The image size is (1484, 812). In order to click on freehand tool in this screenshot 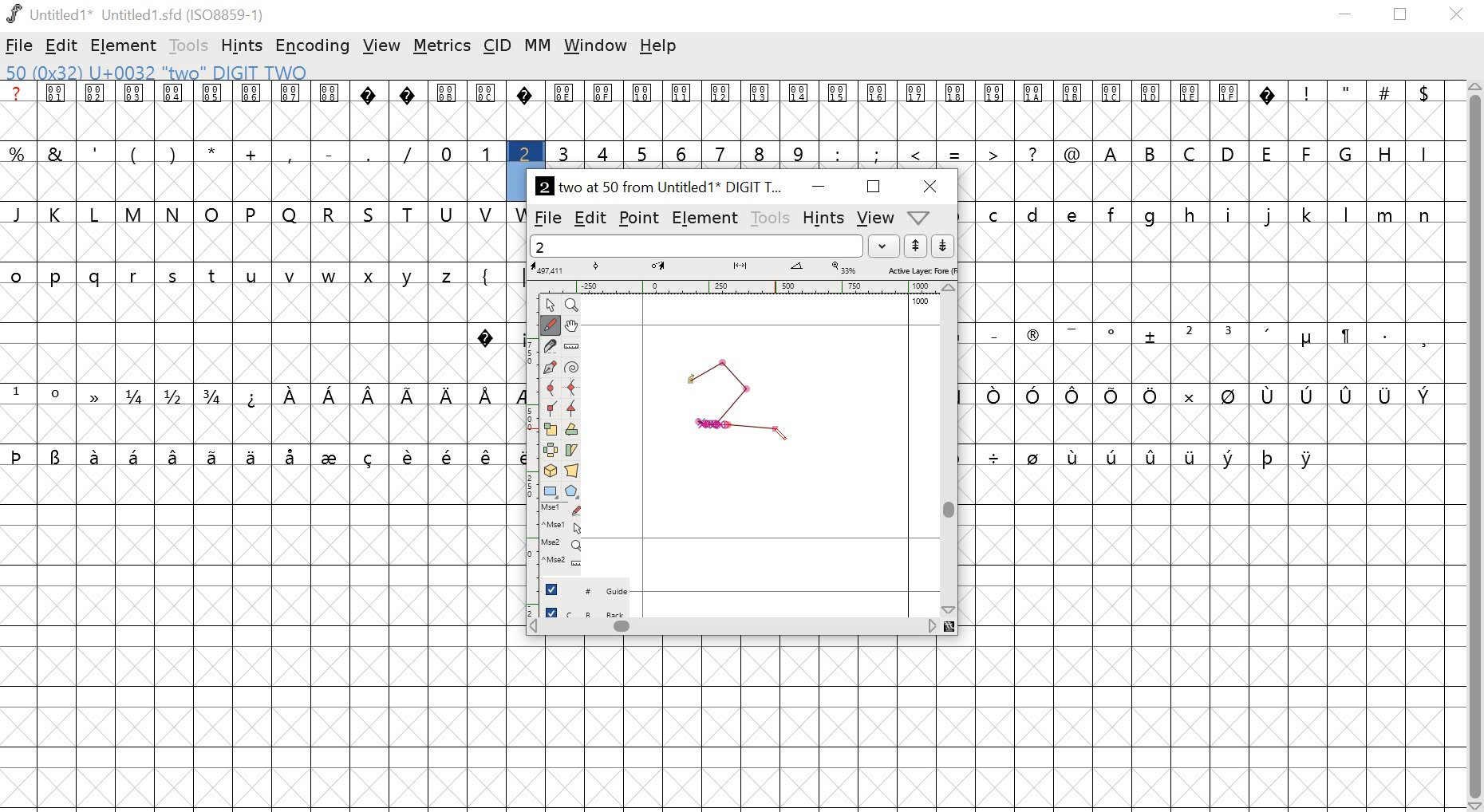, I will do `click(551, 325)`.